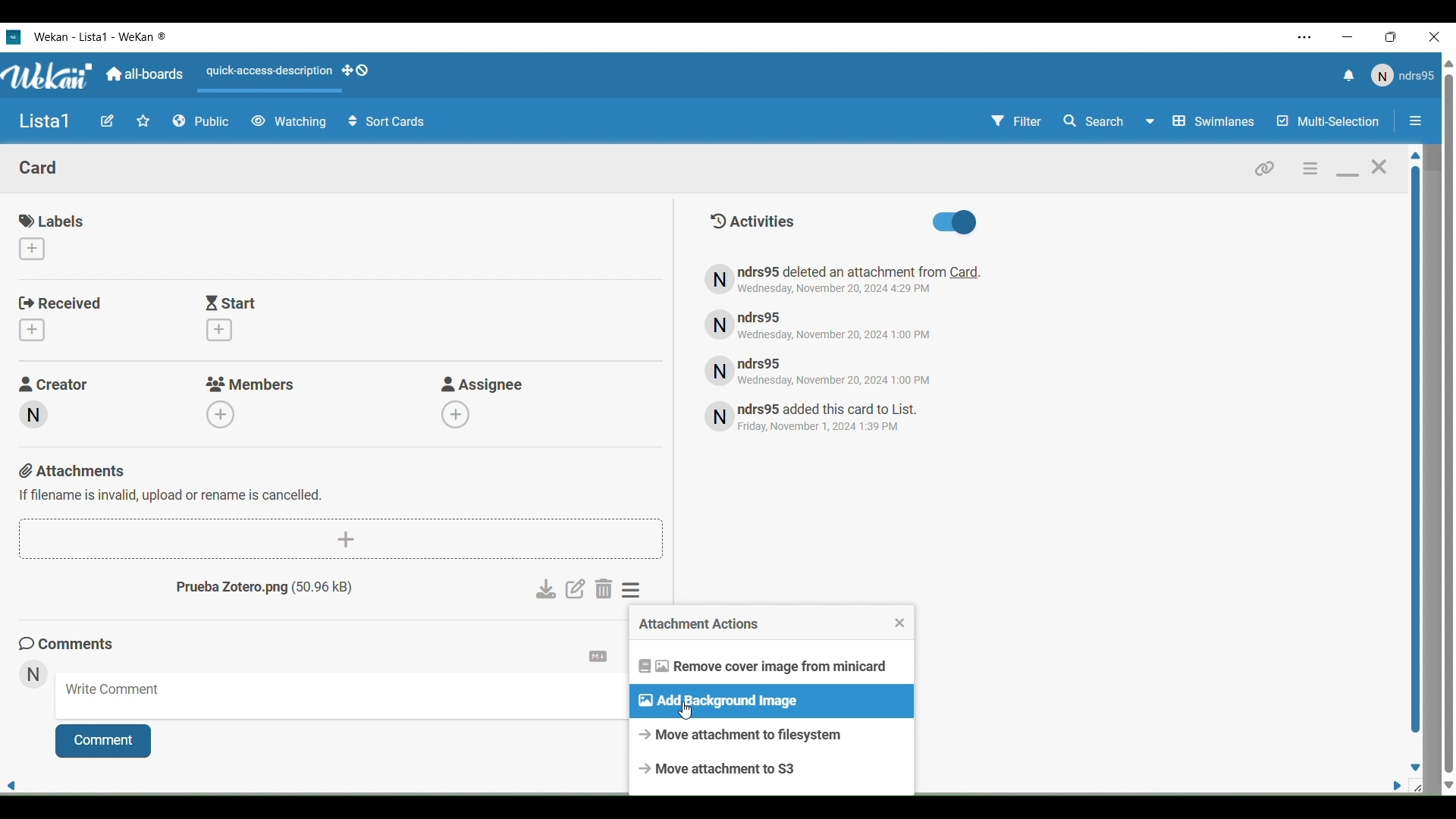 The width and height of the screenshot is (1456, 819). I want to click on Text, so click(840, 370).